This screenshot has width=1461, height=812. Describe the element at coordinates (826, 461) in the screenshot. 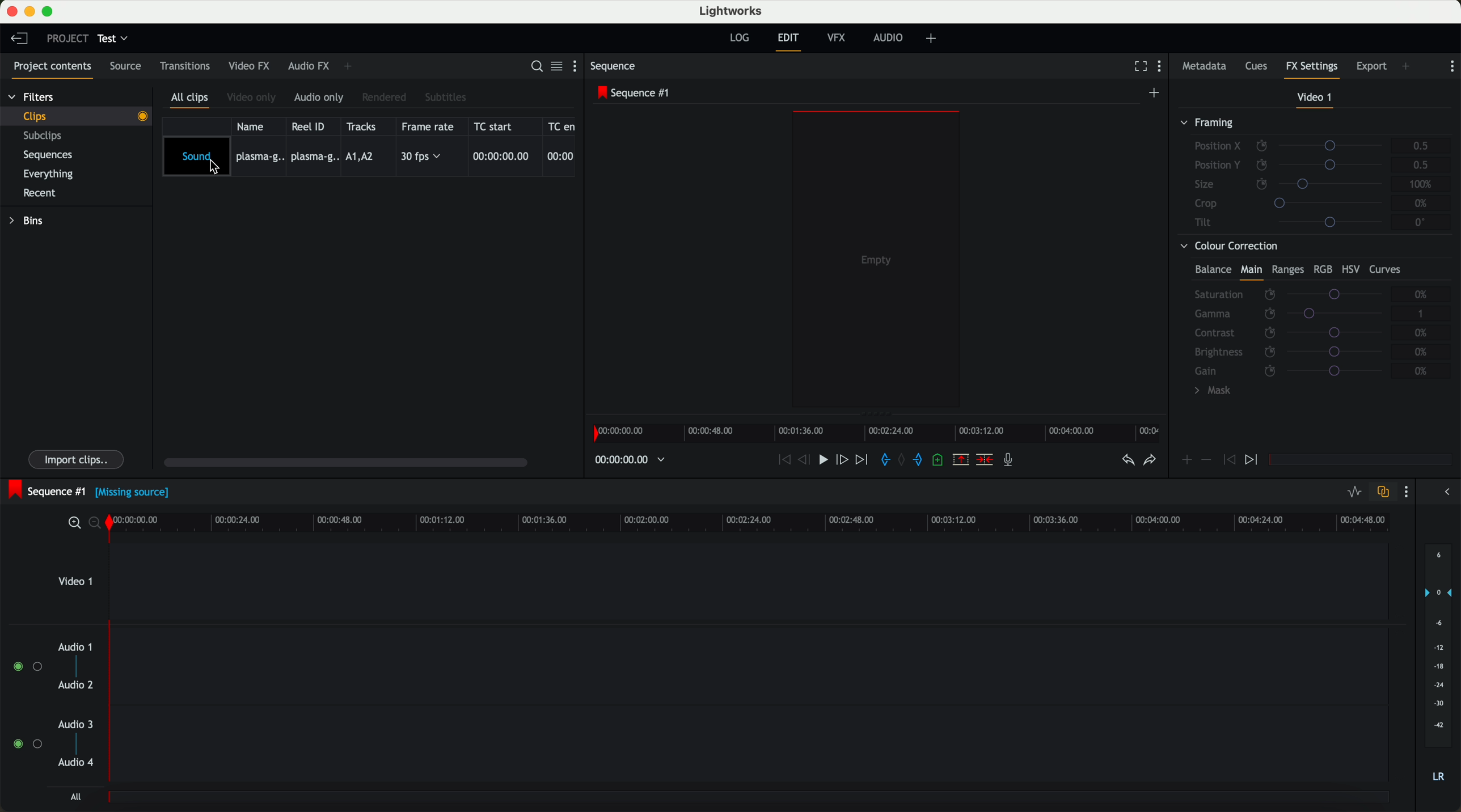

I see `play` at that location.